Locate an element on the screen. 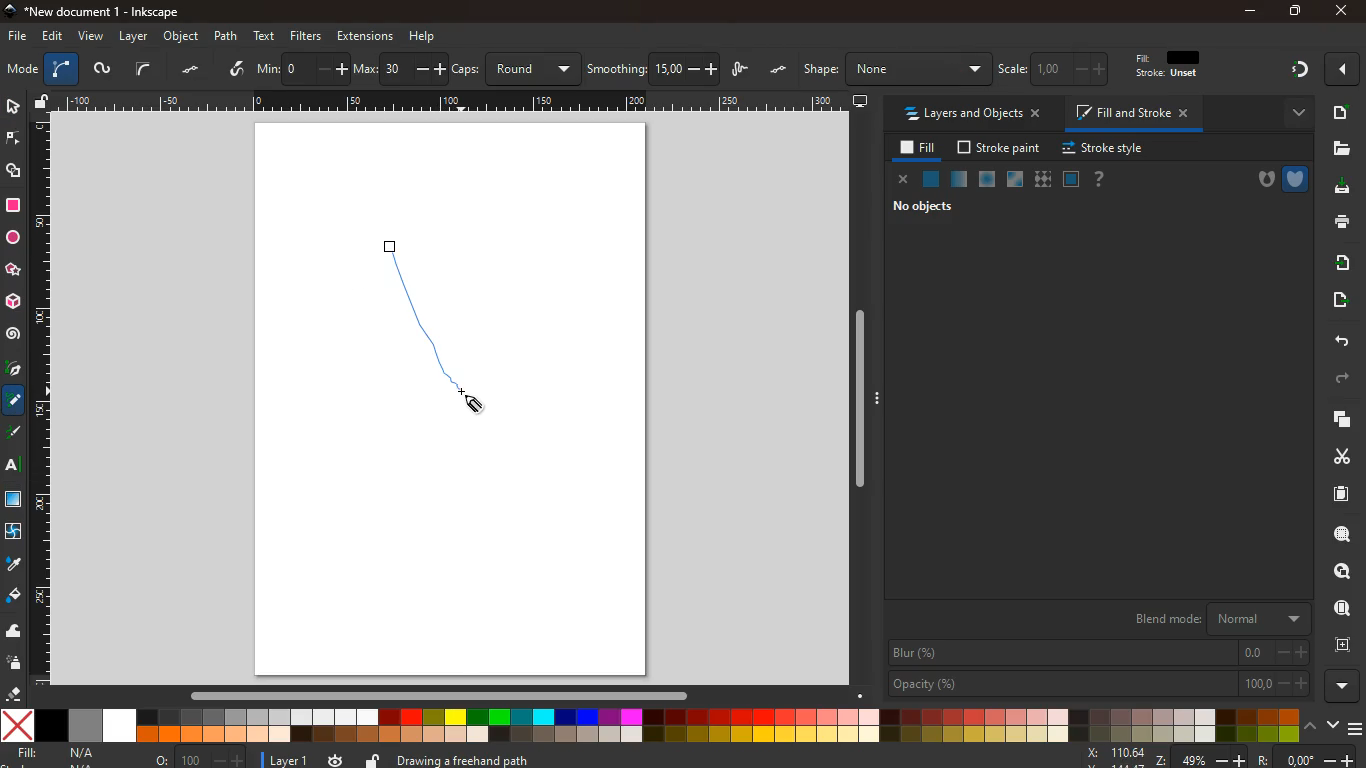  no objects is located at coordinates (927, 206).